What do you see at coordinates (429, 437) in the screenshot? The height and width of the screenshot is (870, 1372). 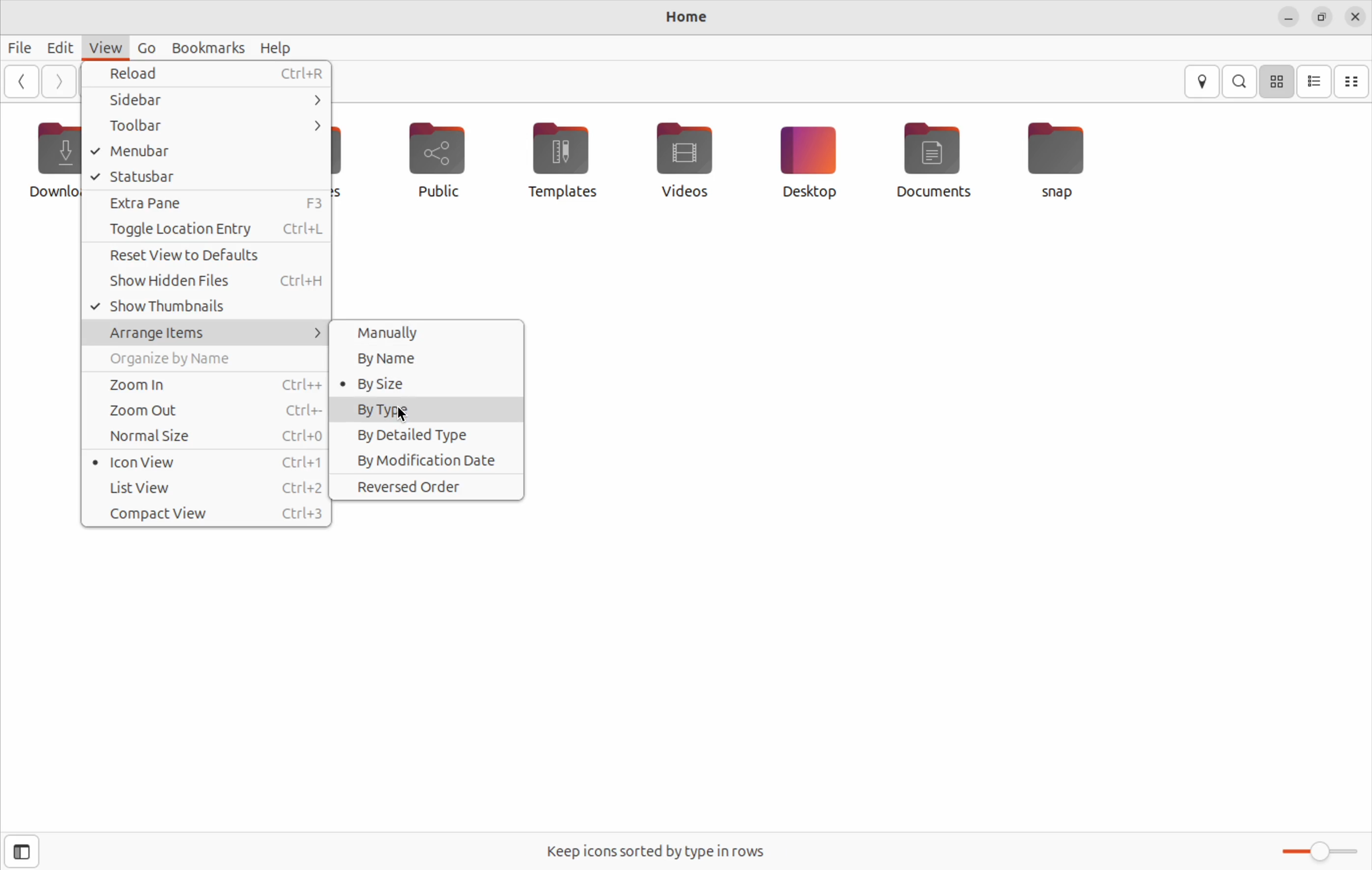 I see `by detailed type` at bounding box center [429, 437].